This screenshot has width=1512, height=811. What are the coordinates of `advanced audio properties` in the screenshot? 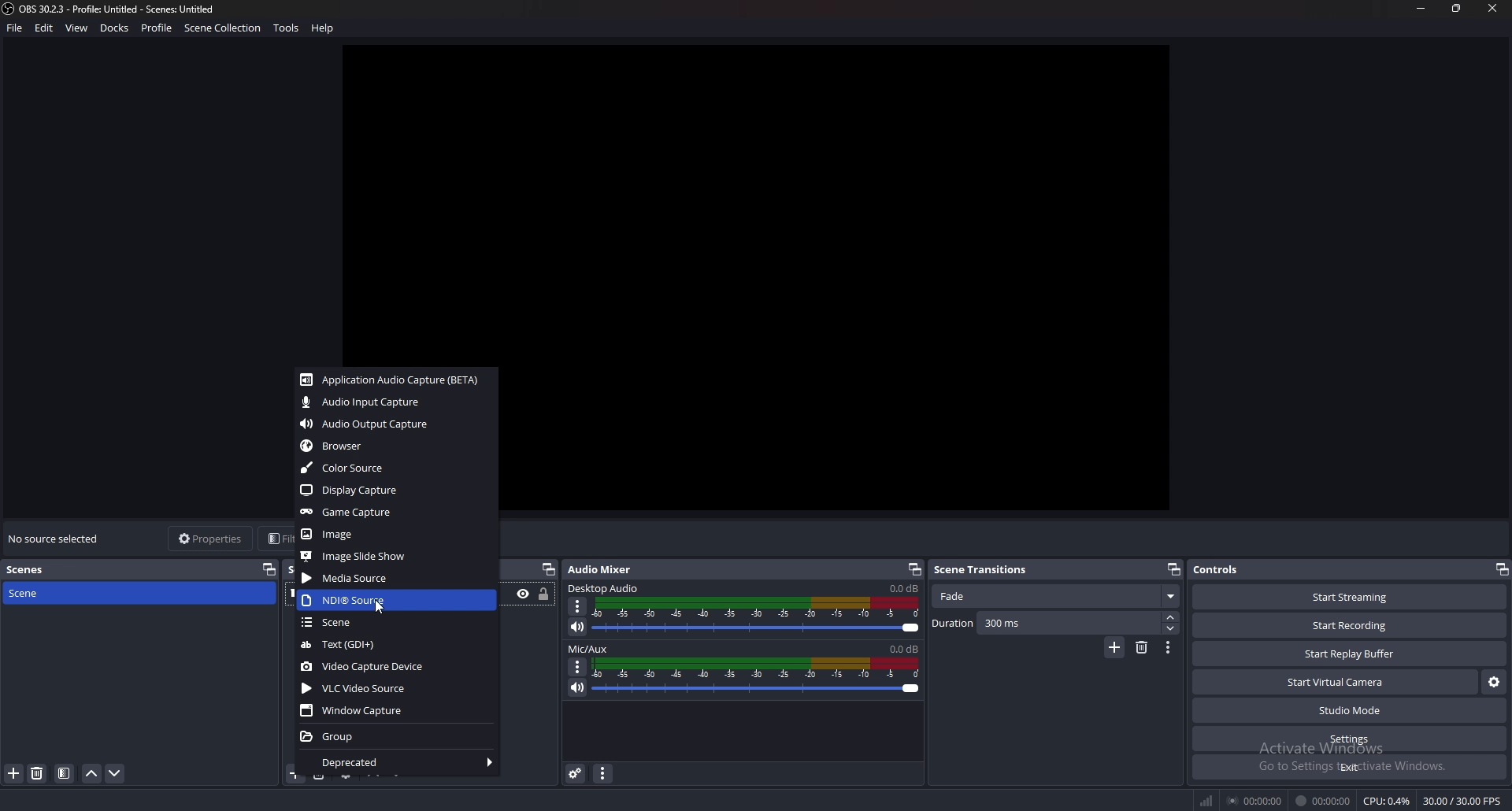 It's located at (576, 773).